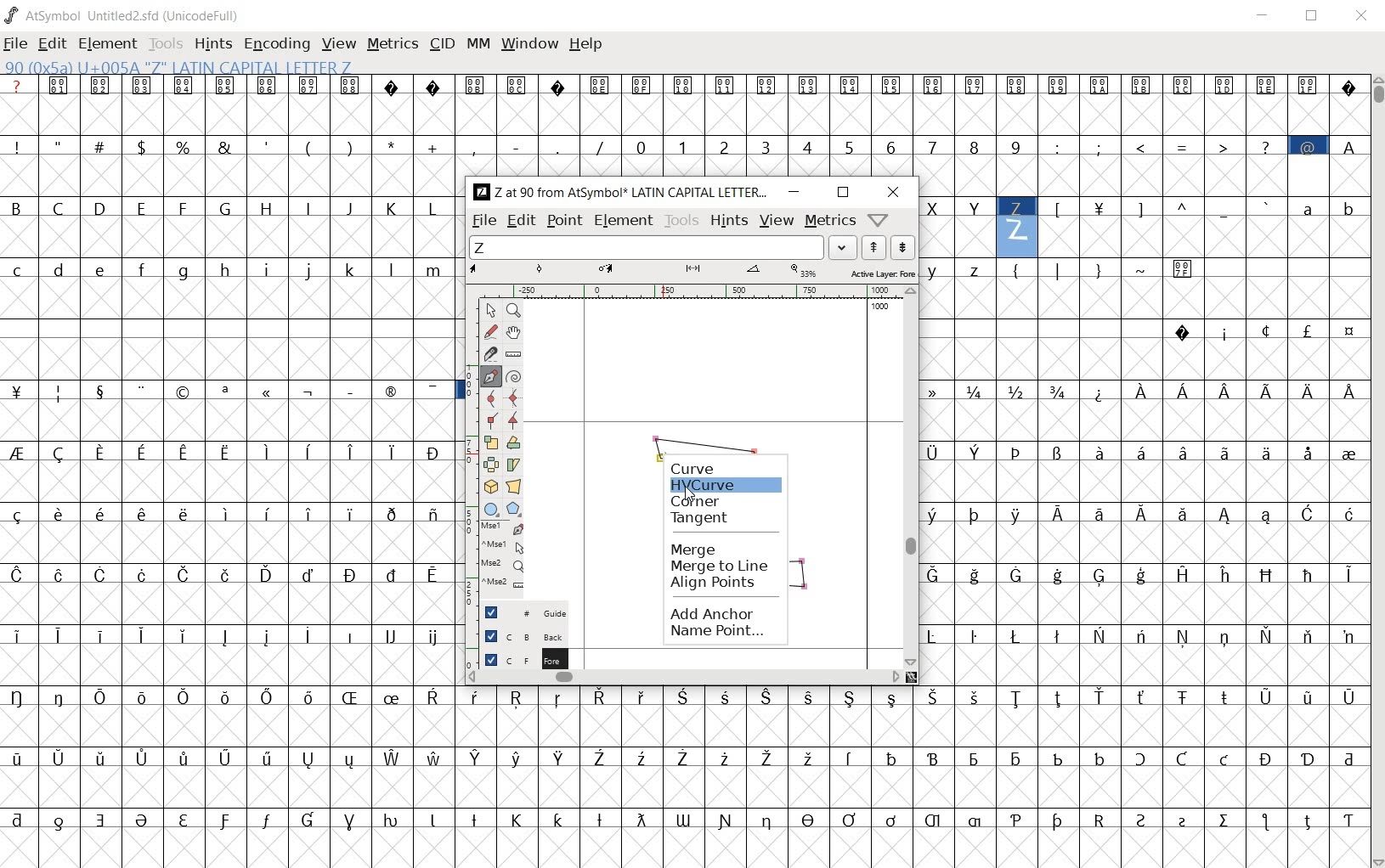 This screenshot has width=1385, height=868. I want to click on add anchor, so click(713, 612).